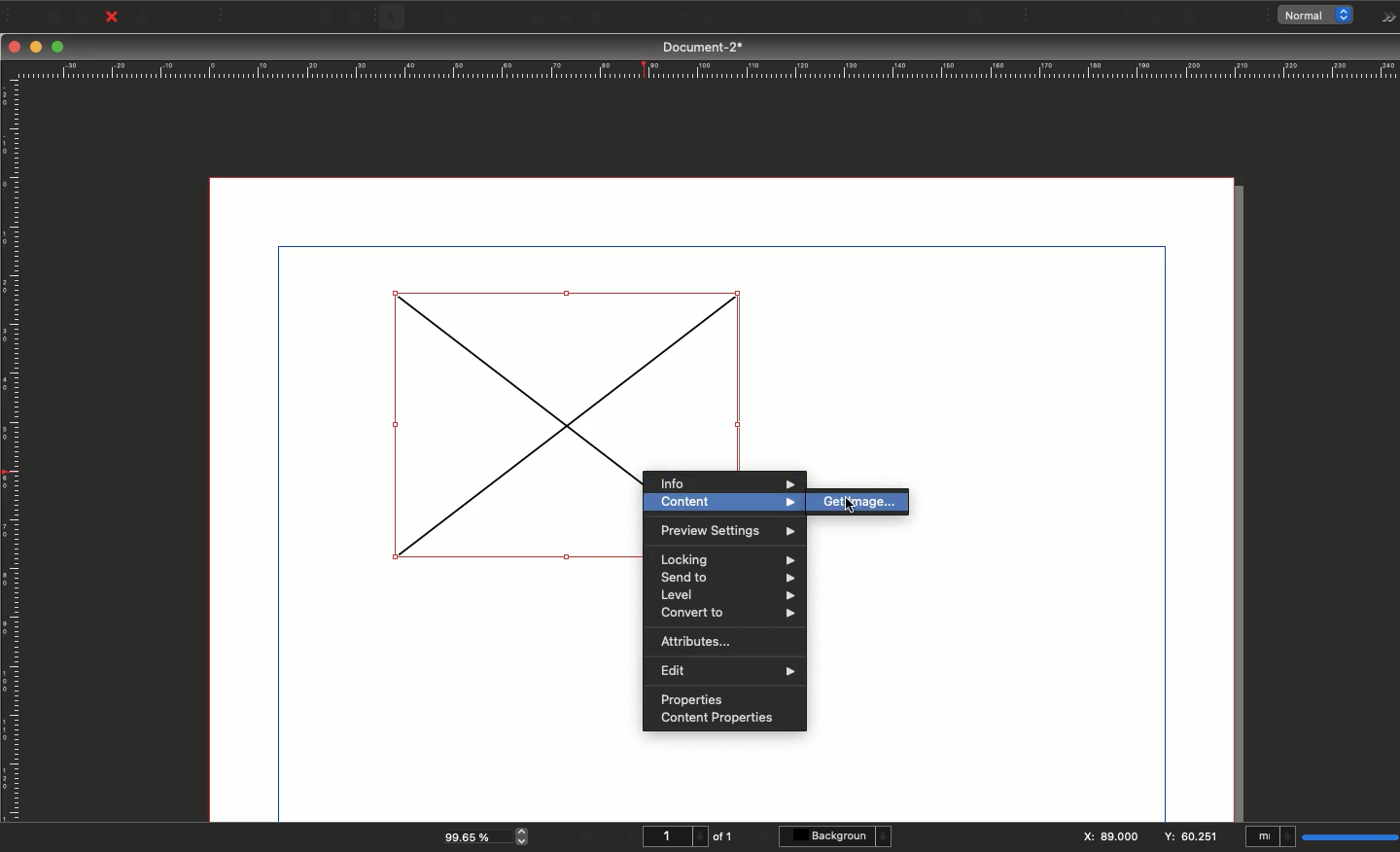 This screenshot has width=1400, height=852. Describe the element at coordinates (1071, 18) in the screenshot. I see `PDF check box` at that location.